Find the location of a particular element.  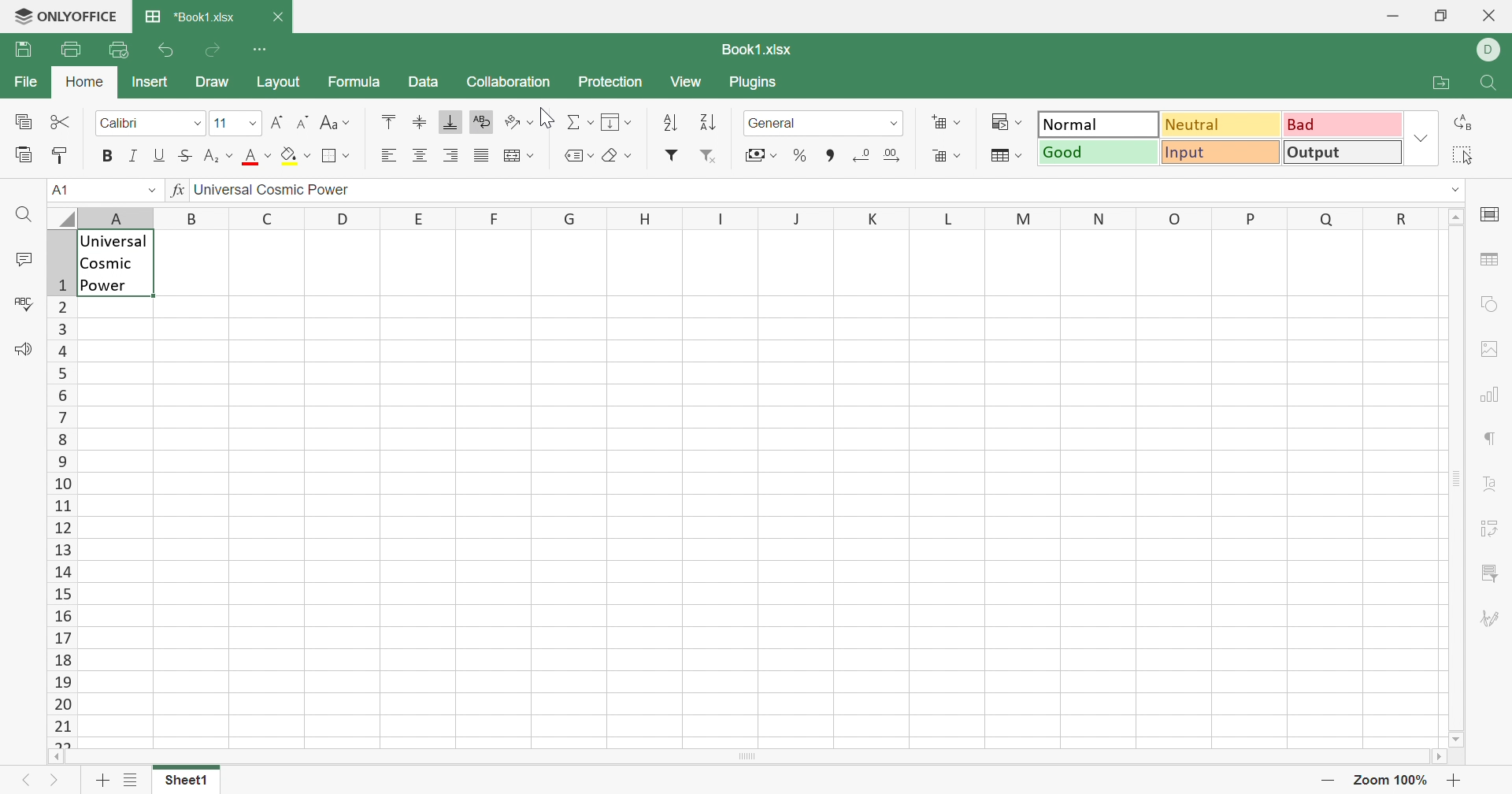

Strikethrough is located at coordinates (183, 157).